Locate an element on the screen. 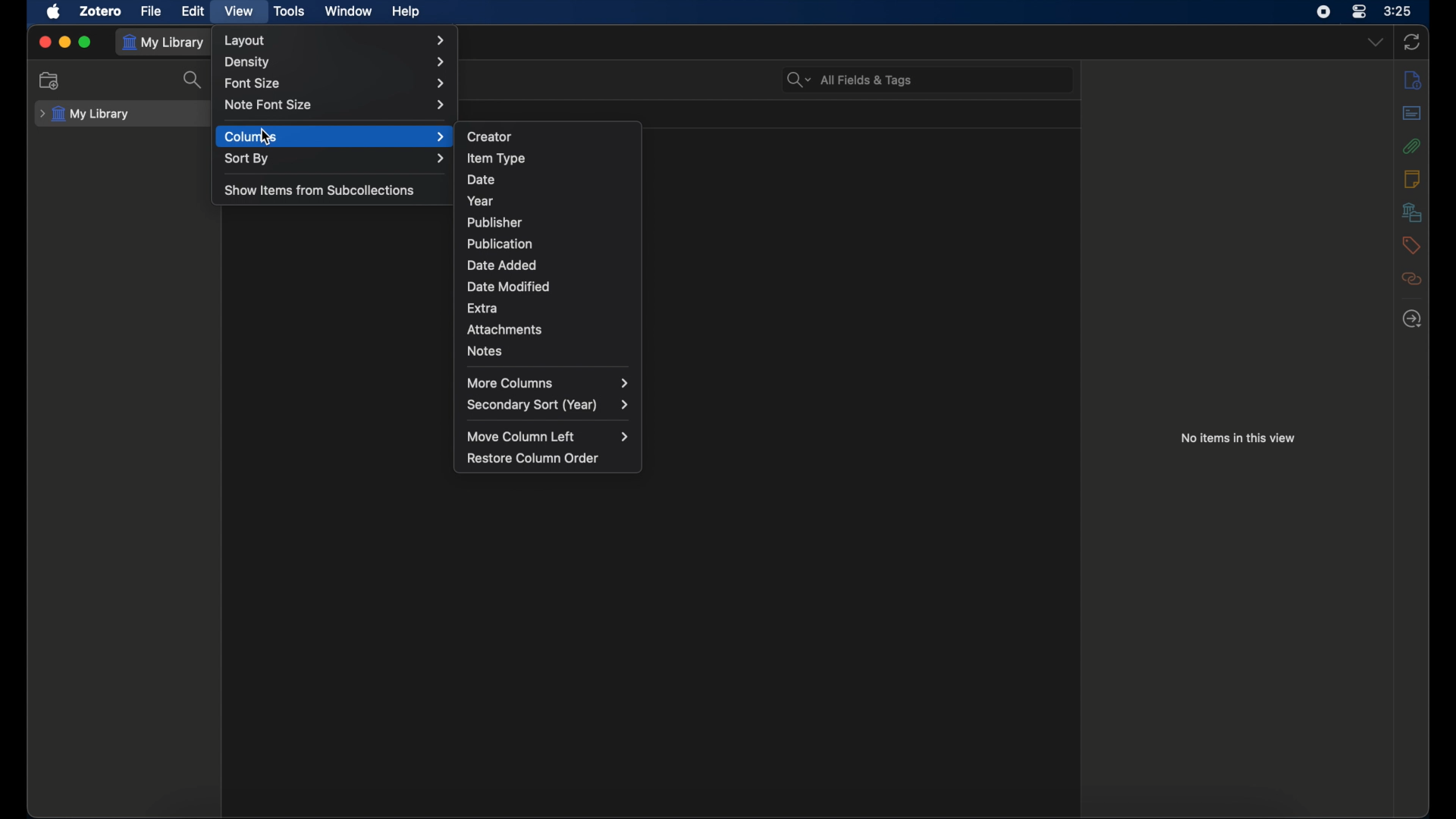 The width and height of the screenshot is (1456, 819). secondary sort is located at coordinates (549, 405).